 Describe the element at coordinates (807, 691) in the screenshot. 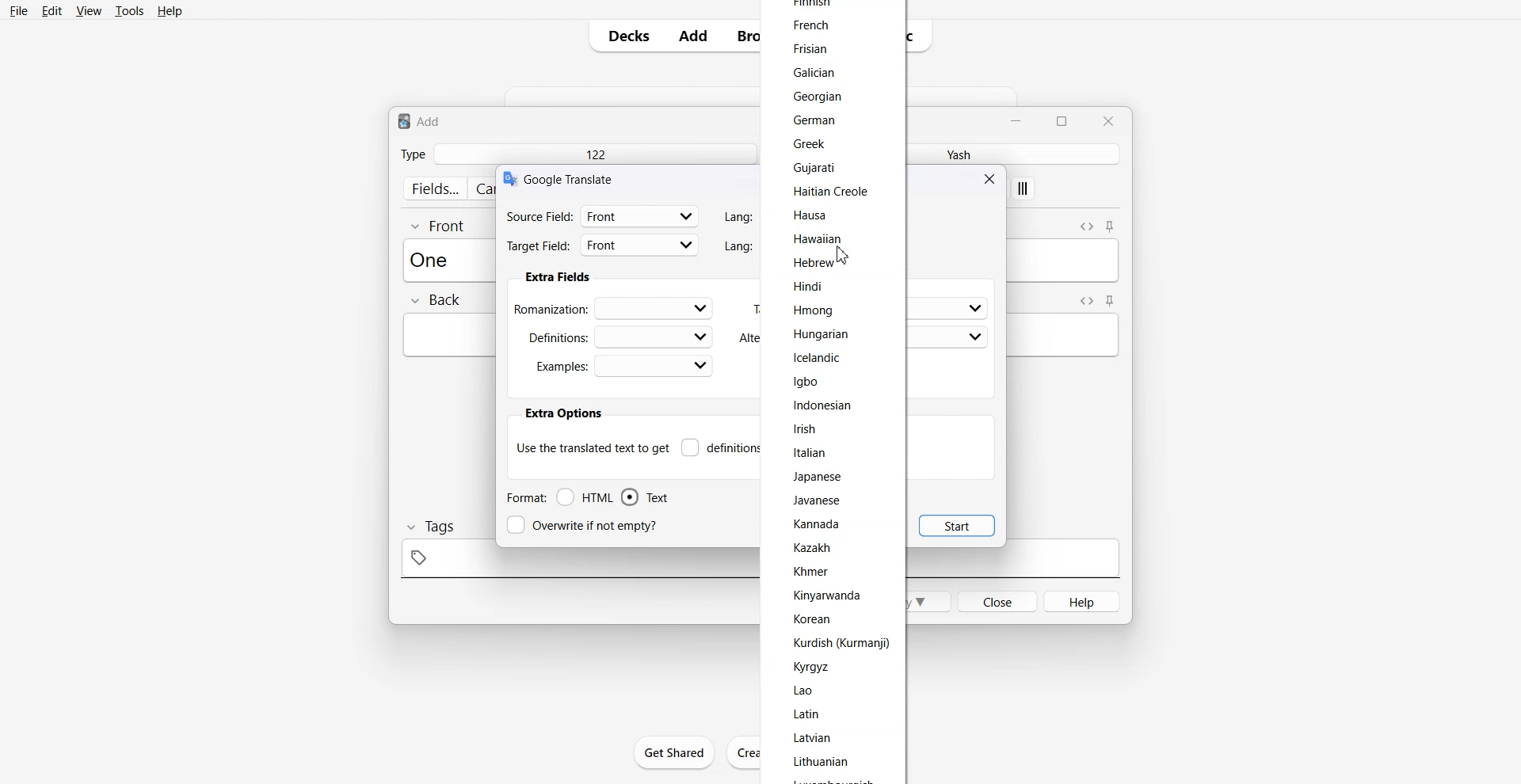

I see `Lao` at that location.